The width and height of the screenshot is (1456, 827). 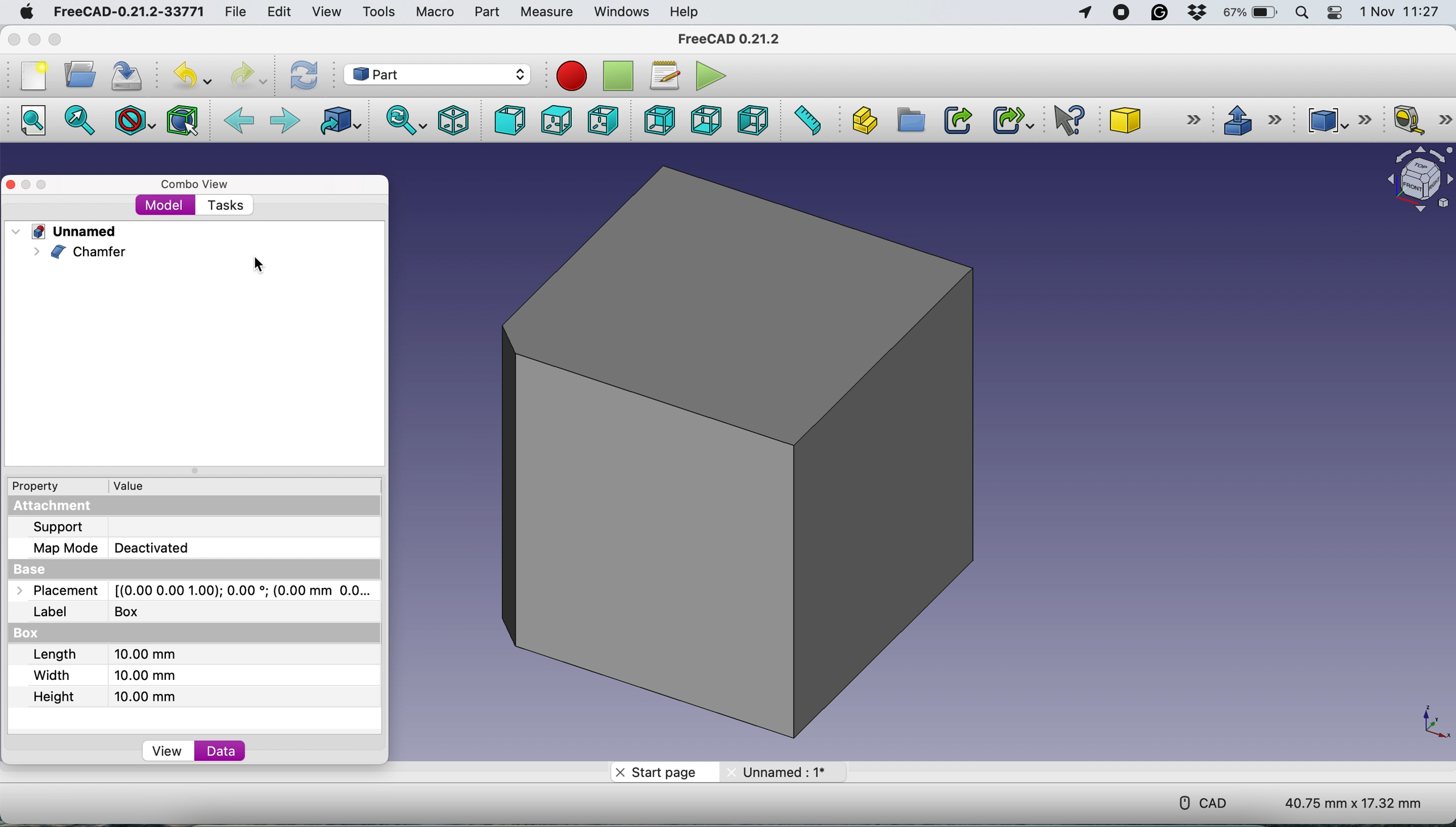 I want to click on box, so click(x=57, y=634).